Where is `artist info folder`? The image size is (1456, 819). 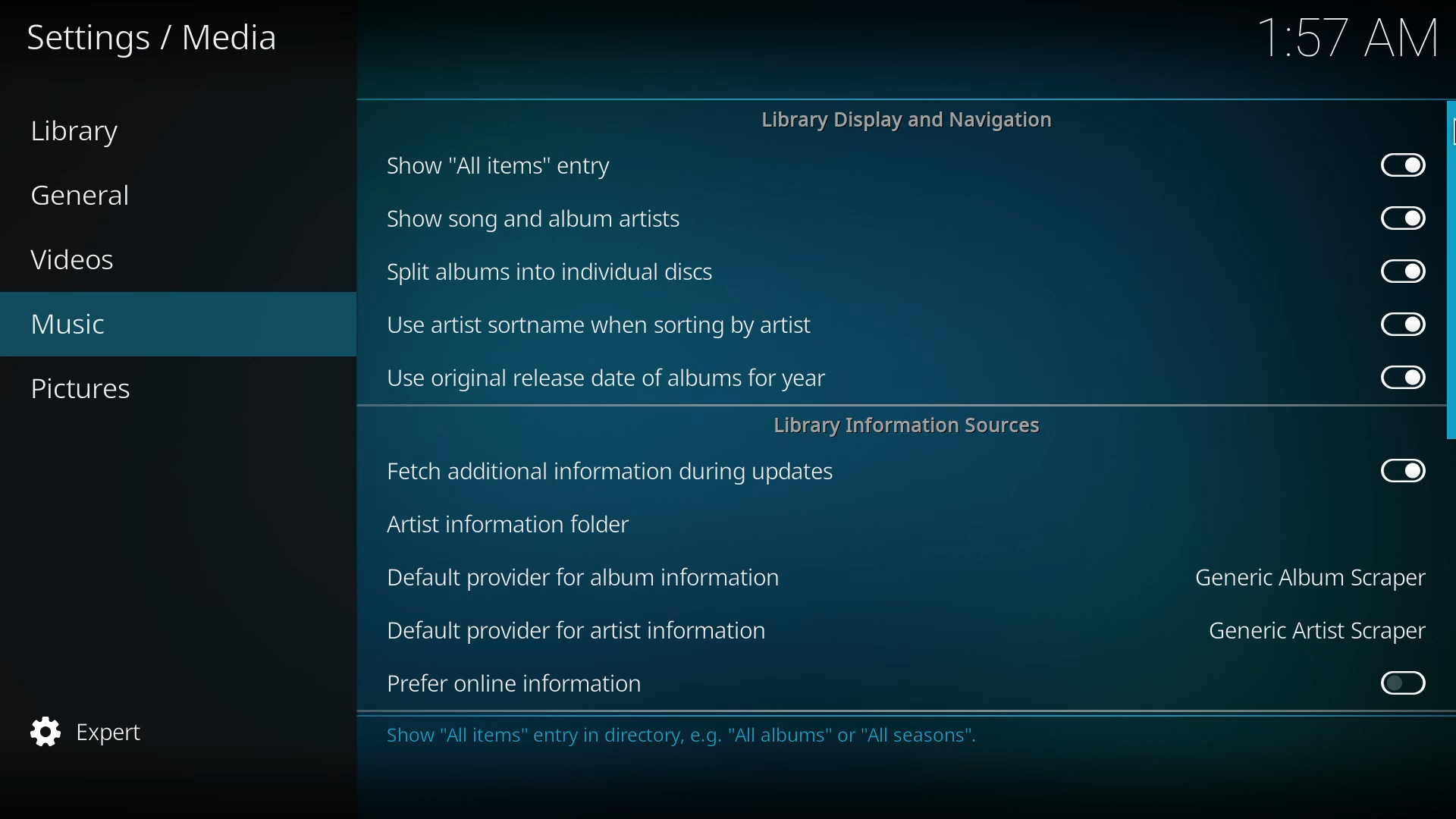
artist info folder is located at coordinates (507, 525).